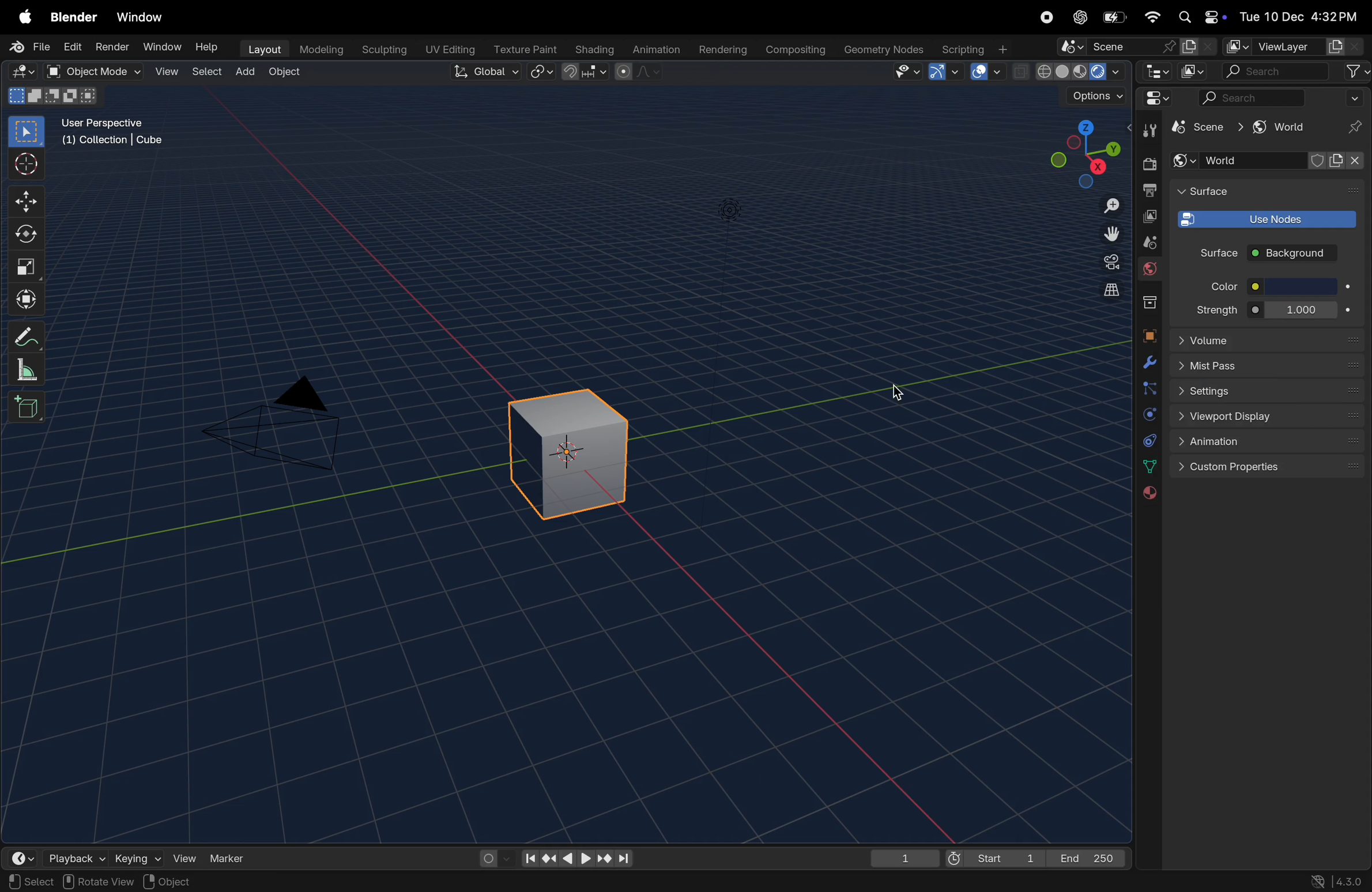 The image size is (1372, 892). I want to click on pan view, so click(35, 881).